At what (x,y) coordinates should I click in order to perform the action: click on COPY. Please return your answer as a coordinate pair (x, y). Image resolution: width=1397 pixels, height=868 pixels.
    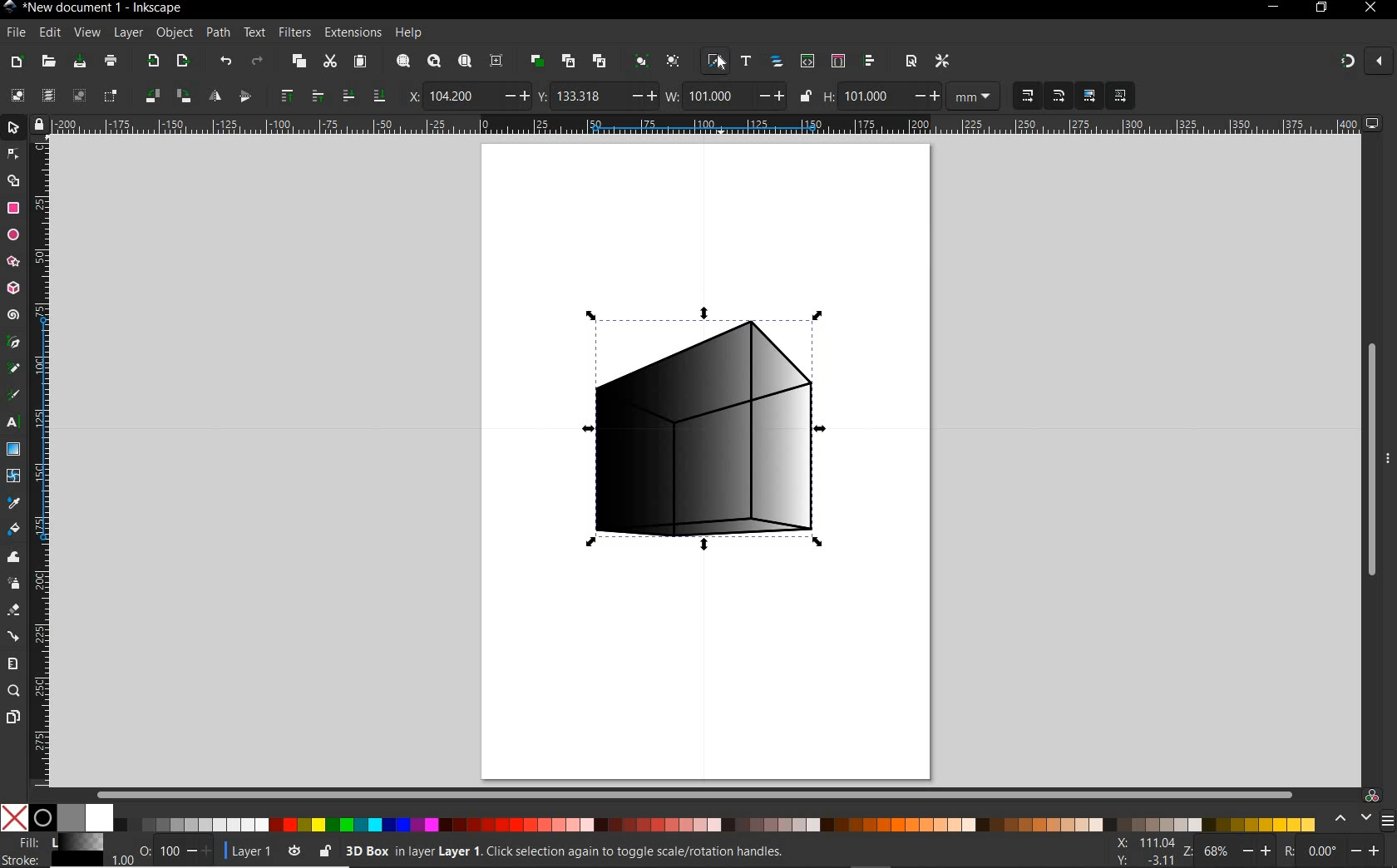
    Looking at the image, I should click on (299, 62).